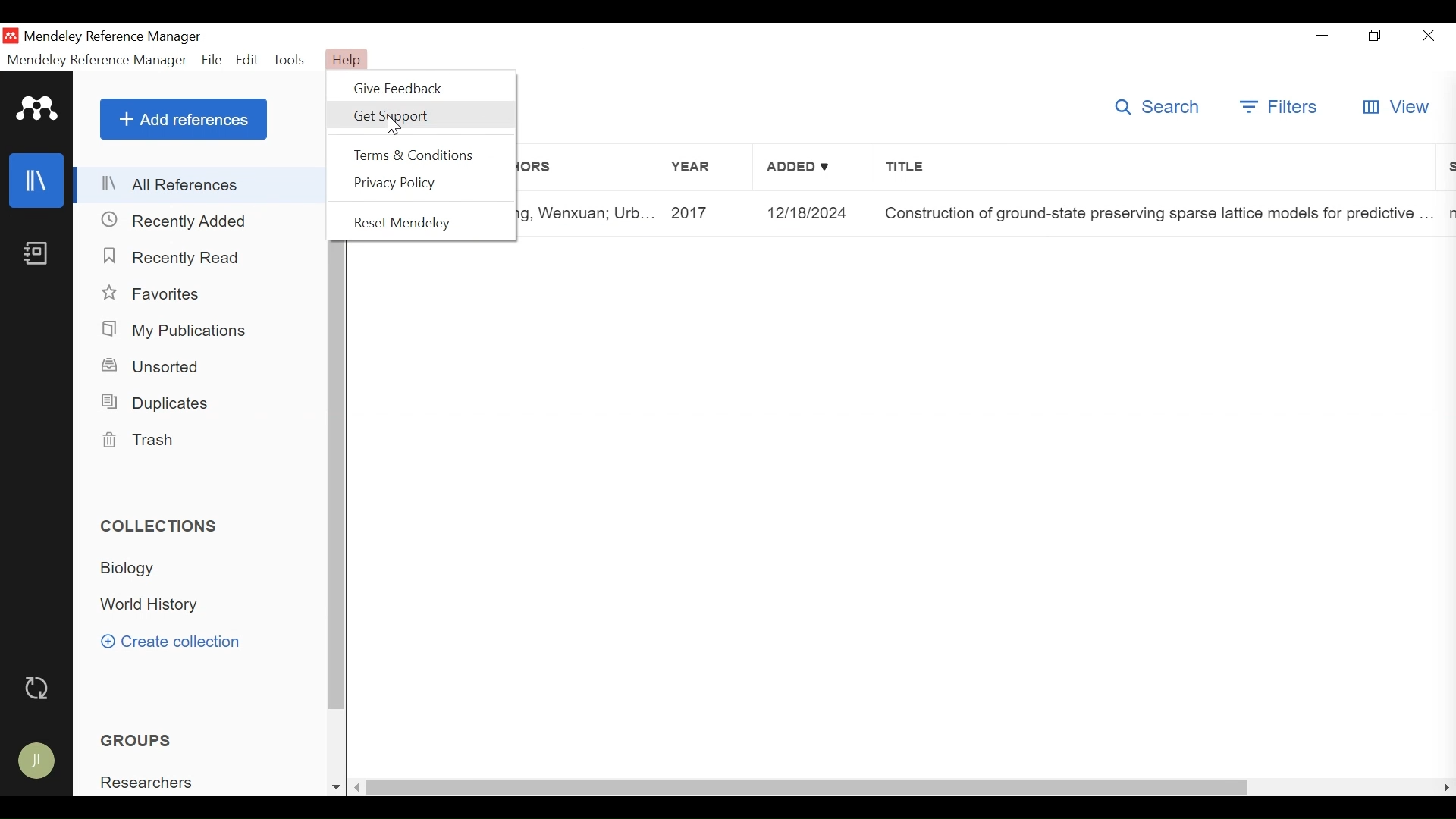 The image size is (1456, 819). I want to click on Restore, so click(1376, 36).